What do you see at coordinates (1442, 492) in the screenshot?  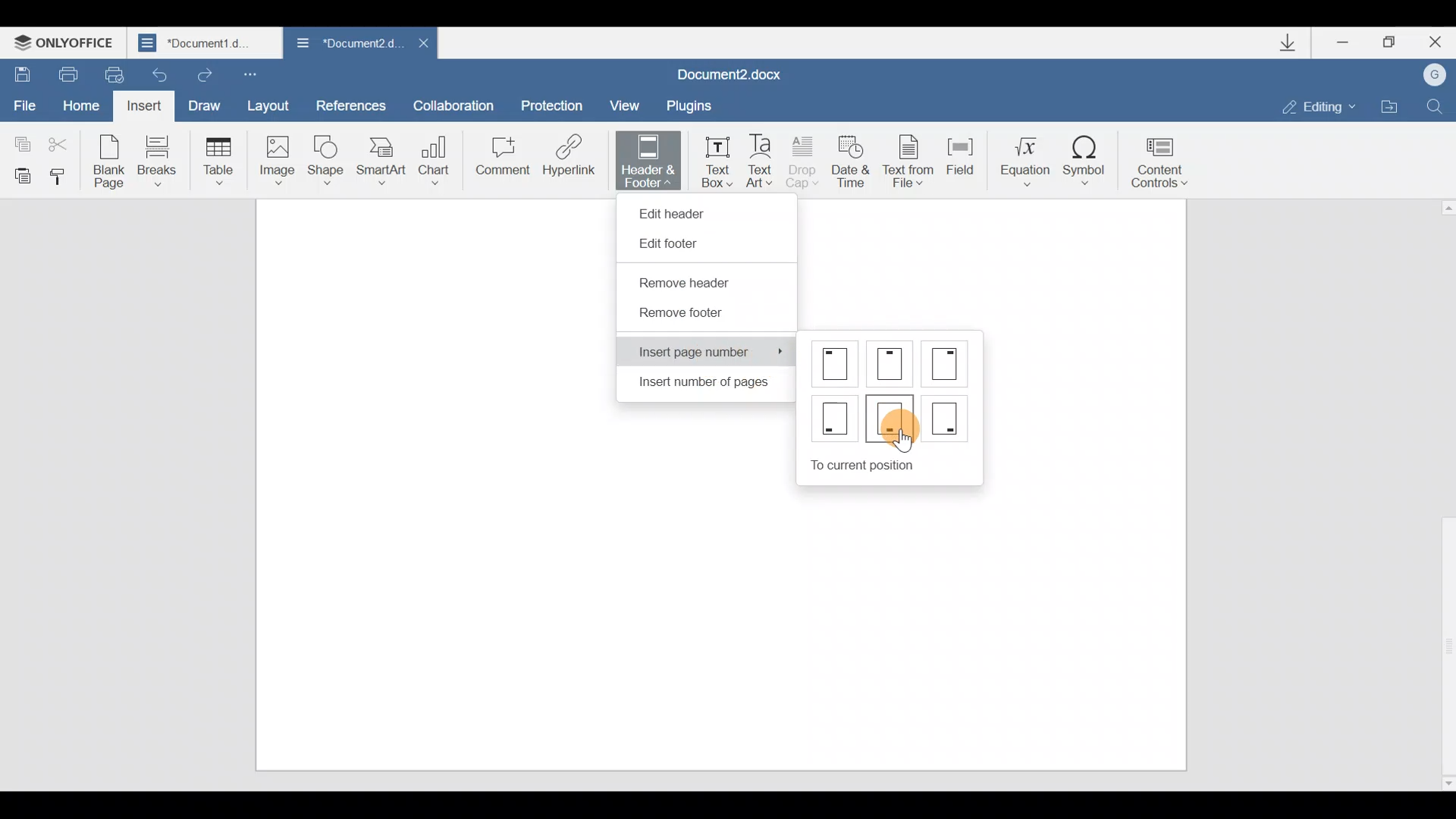 I see `Scroll bar` at bounding box center [1442, 492].